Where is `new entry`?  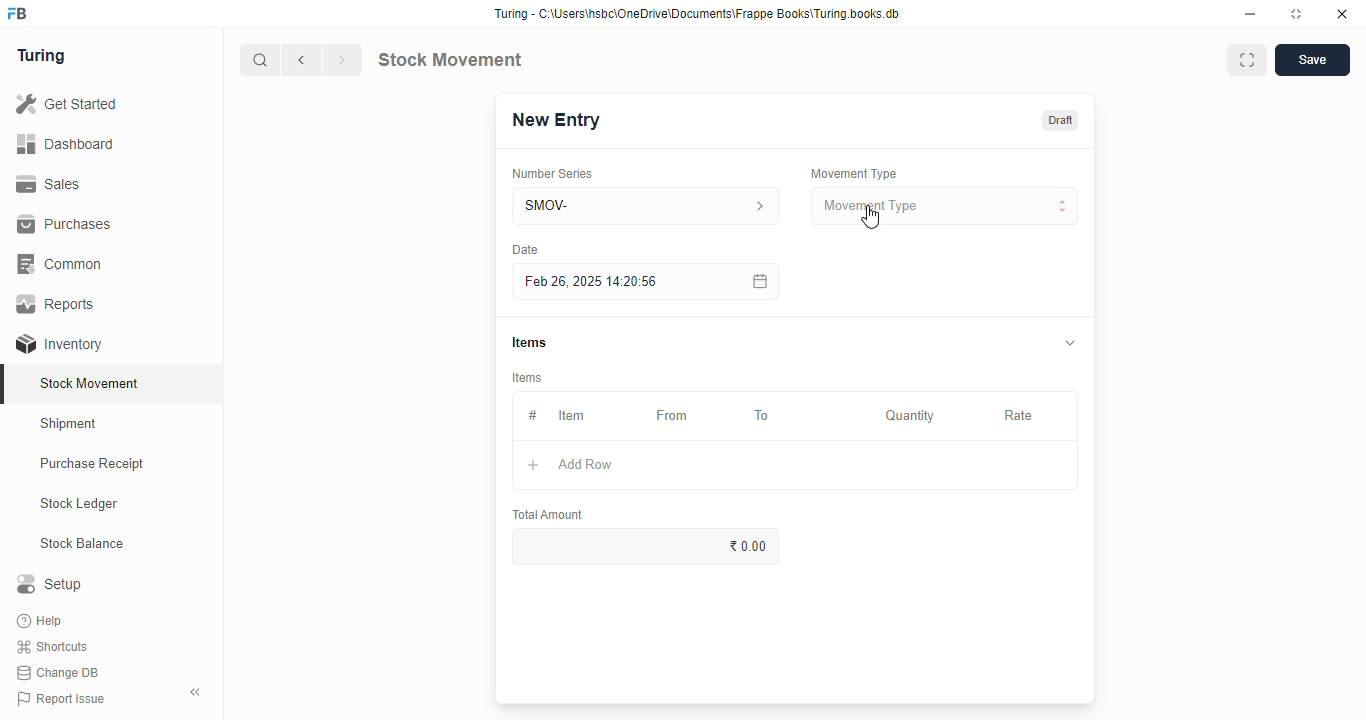 new entry is located at coordinates (555, 120).